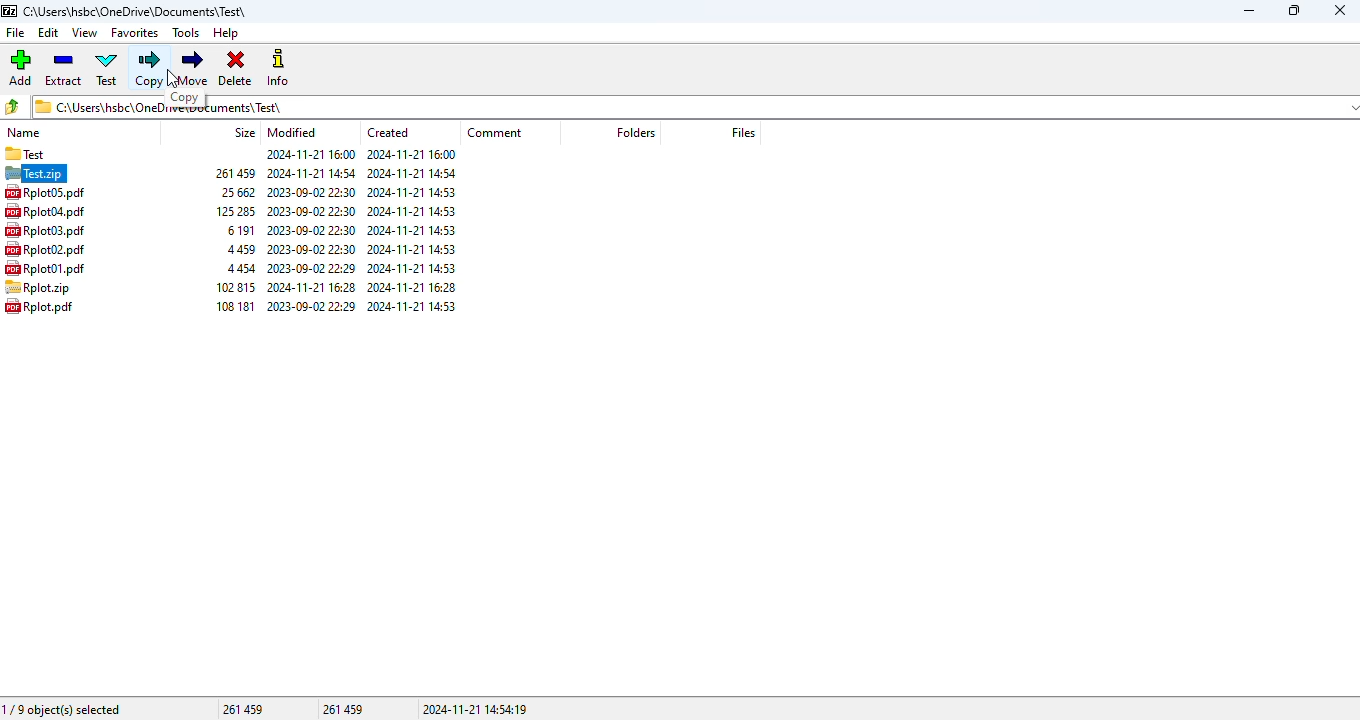 The image size is (1360, 720). What do you see at coordinates (44, 230) in the screenshot?
I see `file name` at bounding box center [44, 230].